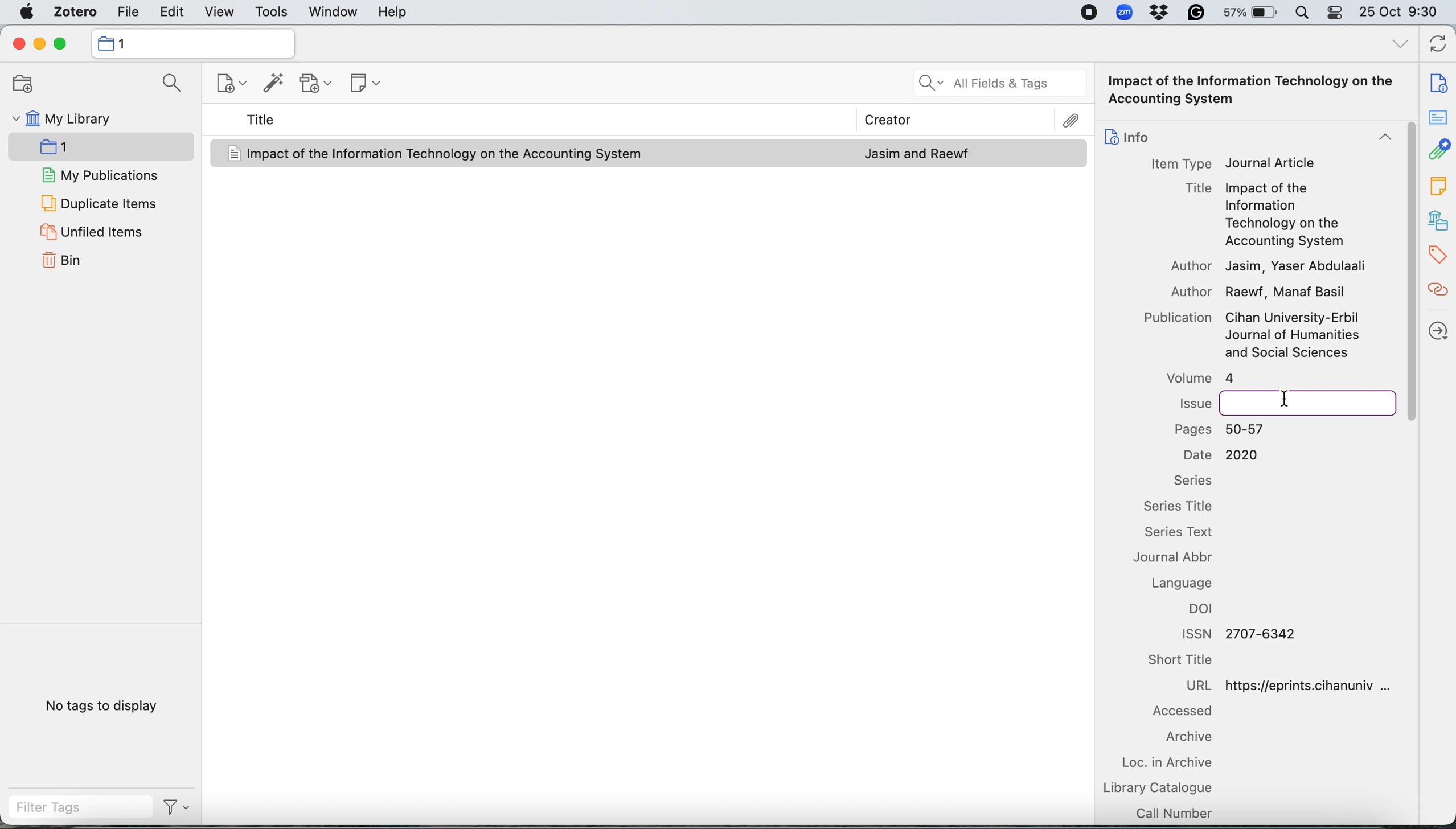 Image resolution: width=1456 pixels, height=829 pixels. What do you see at coordinates (1191, 661) in the screenshot?
I see `short title` at bounding box center [1191, 661].